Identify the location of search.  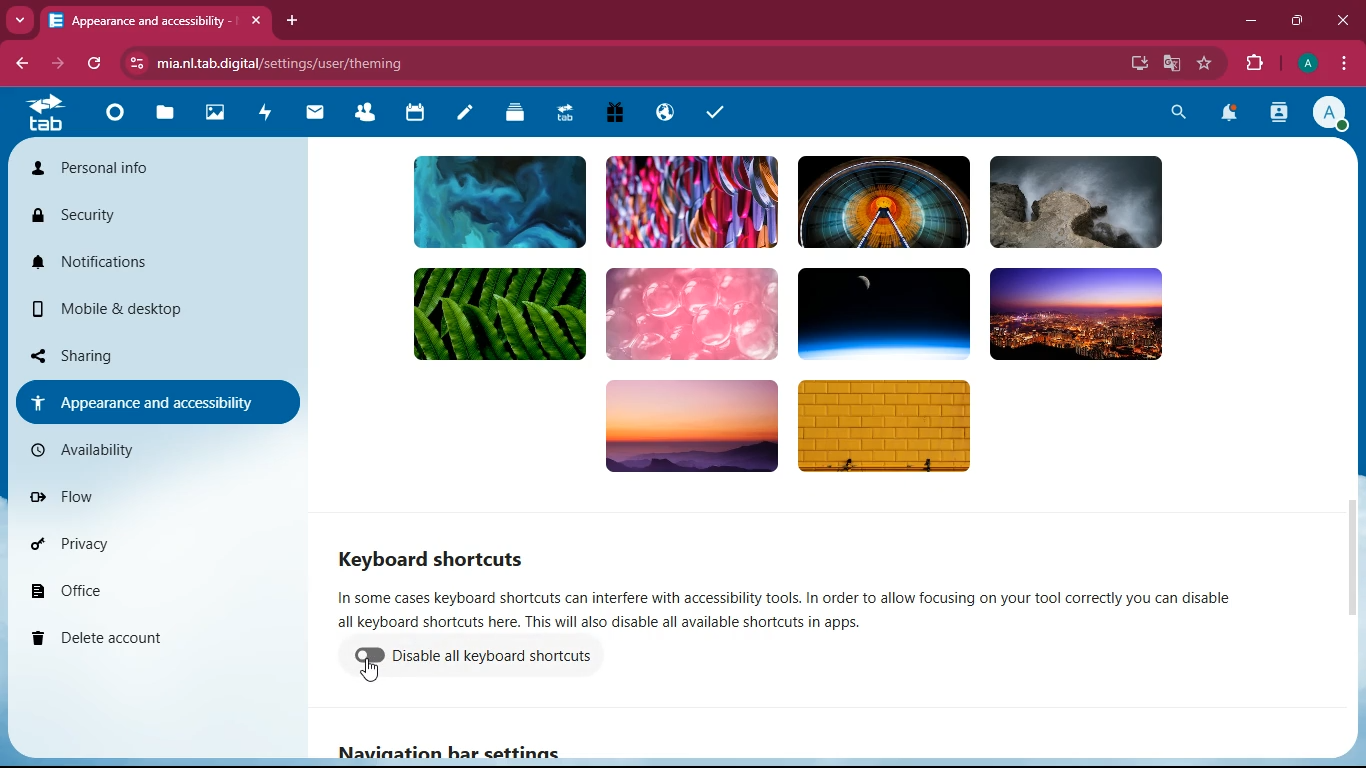
(1180, 114).